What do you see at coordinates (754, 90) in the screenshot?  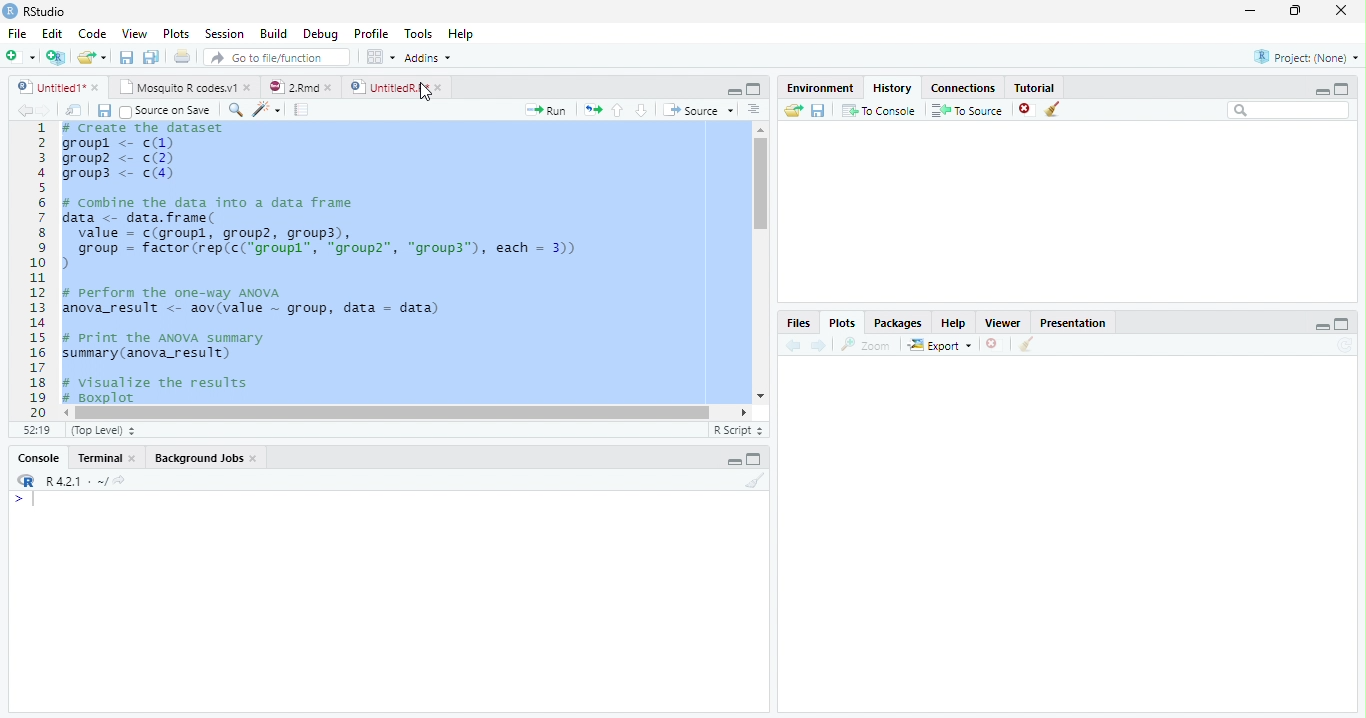 I see `Maximize` at bounding box center [754, 90].